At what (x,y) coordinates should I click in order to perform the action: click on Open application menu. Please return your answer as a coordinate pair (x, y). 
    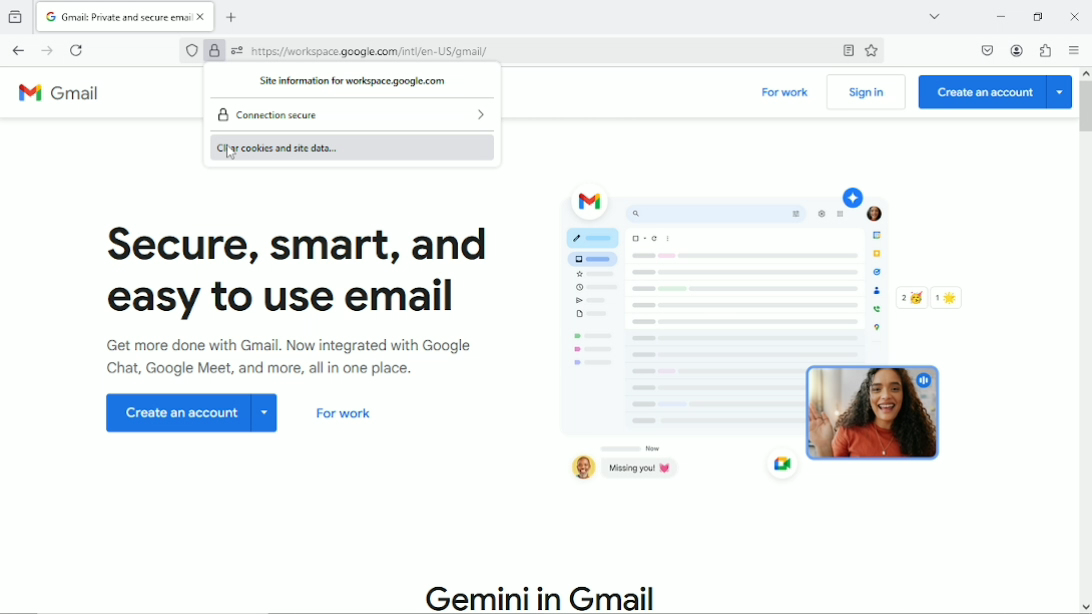
    Looking at the image, I should click on (1075, 52).